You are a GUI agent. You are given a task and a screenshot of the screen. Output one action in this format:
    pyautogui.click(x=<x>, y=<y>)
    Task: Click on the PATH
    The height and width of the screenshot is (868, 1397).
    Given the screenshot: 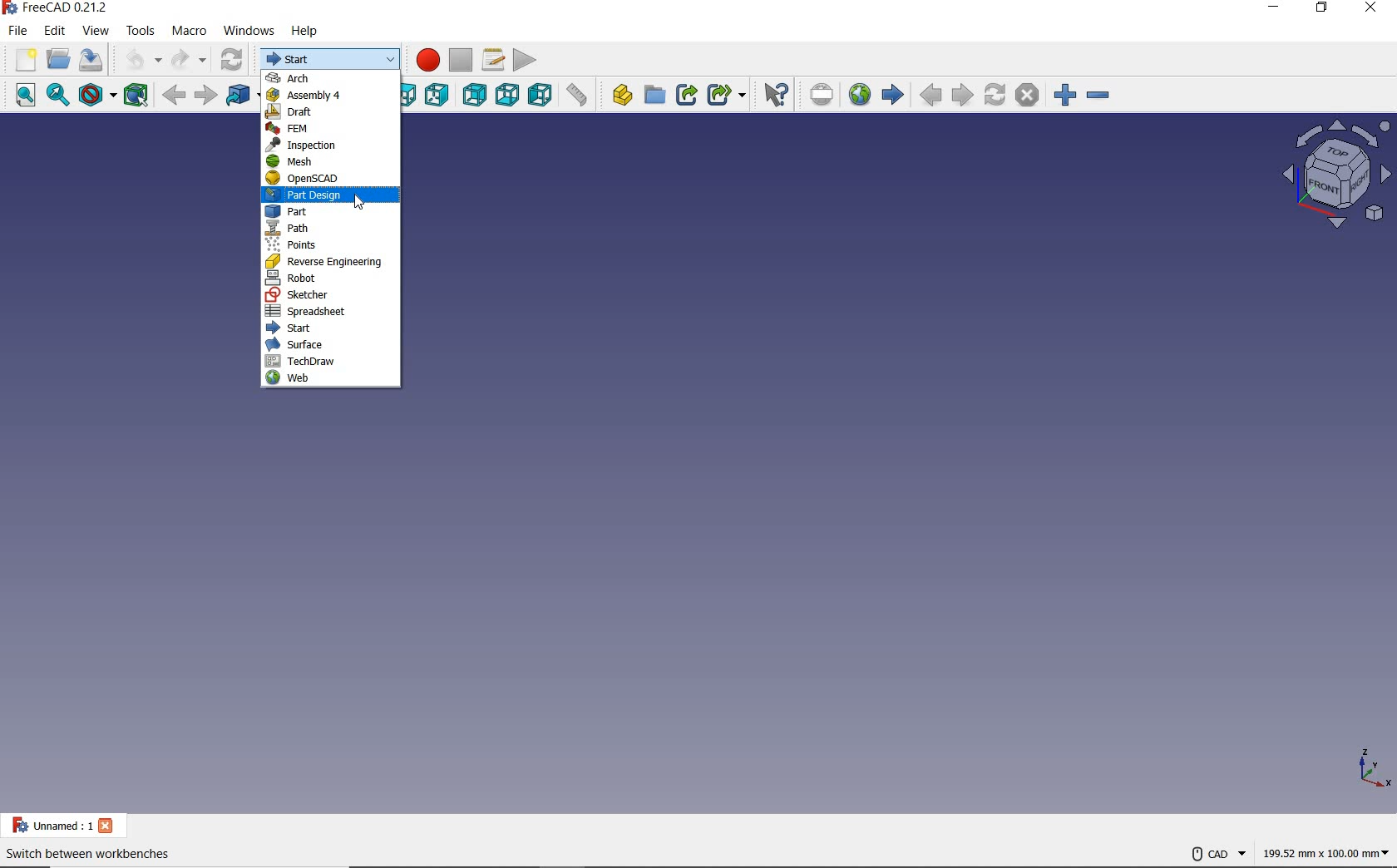 What is the action you would take?
    pyautogui.click(x=332, y=228)
    